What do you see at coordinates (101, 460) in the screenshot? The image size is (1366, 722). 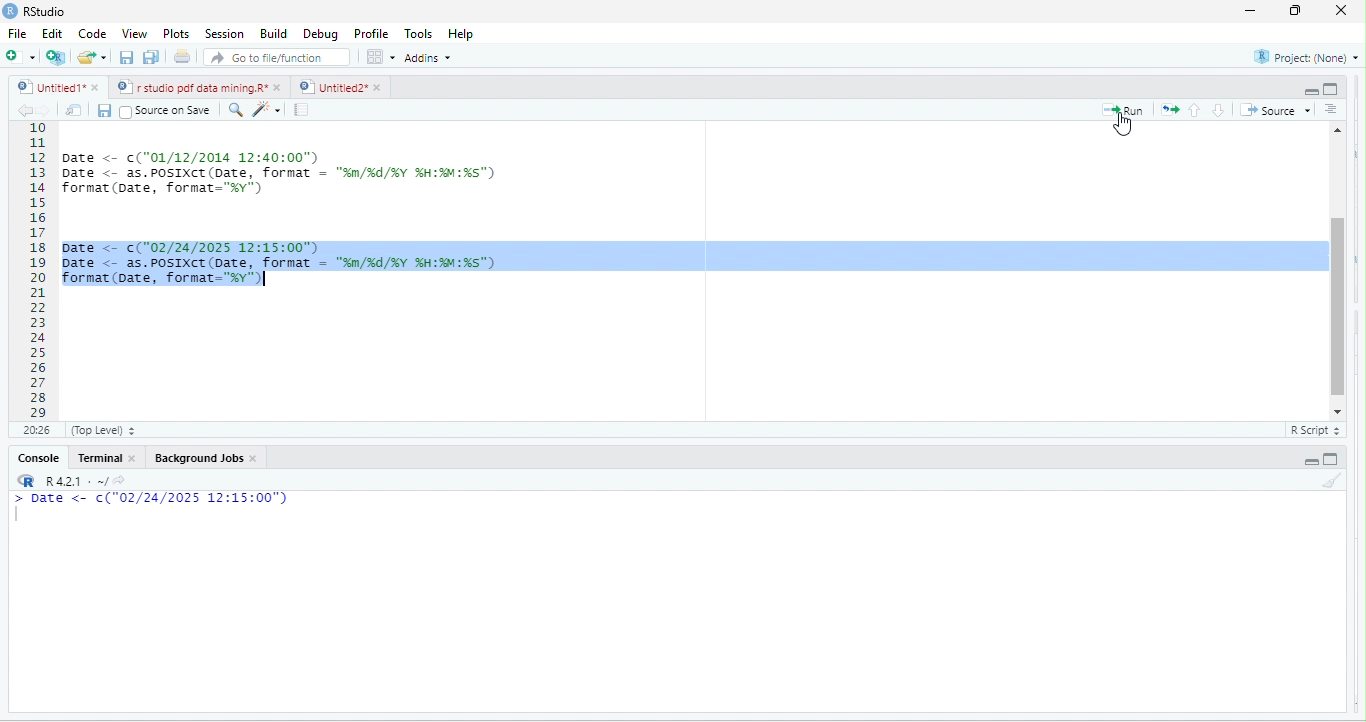 I see `terminal` at bounding box center [101, 460].